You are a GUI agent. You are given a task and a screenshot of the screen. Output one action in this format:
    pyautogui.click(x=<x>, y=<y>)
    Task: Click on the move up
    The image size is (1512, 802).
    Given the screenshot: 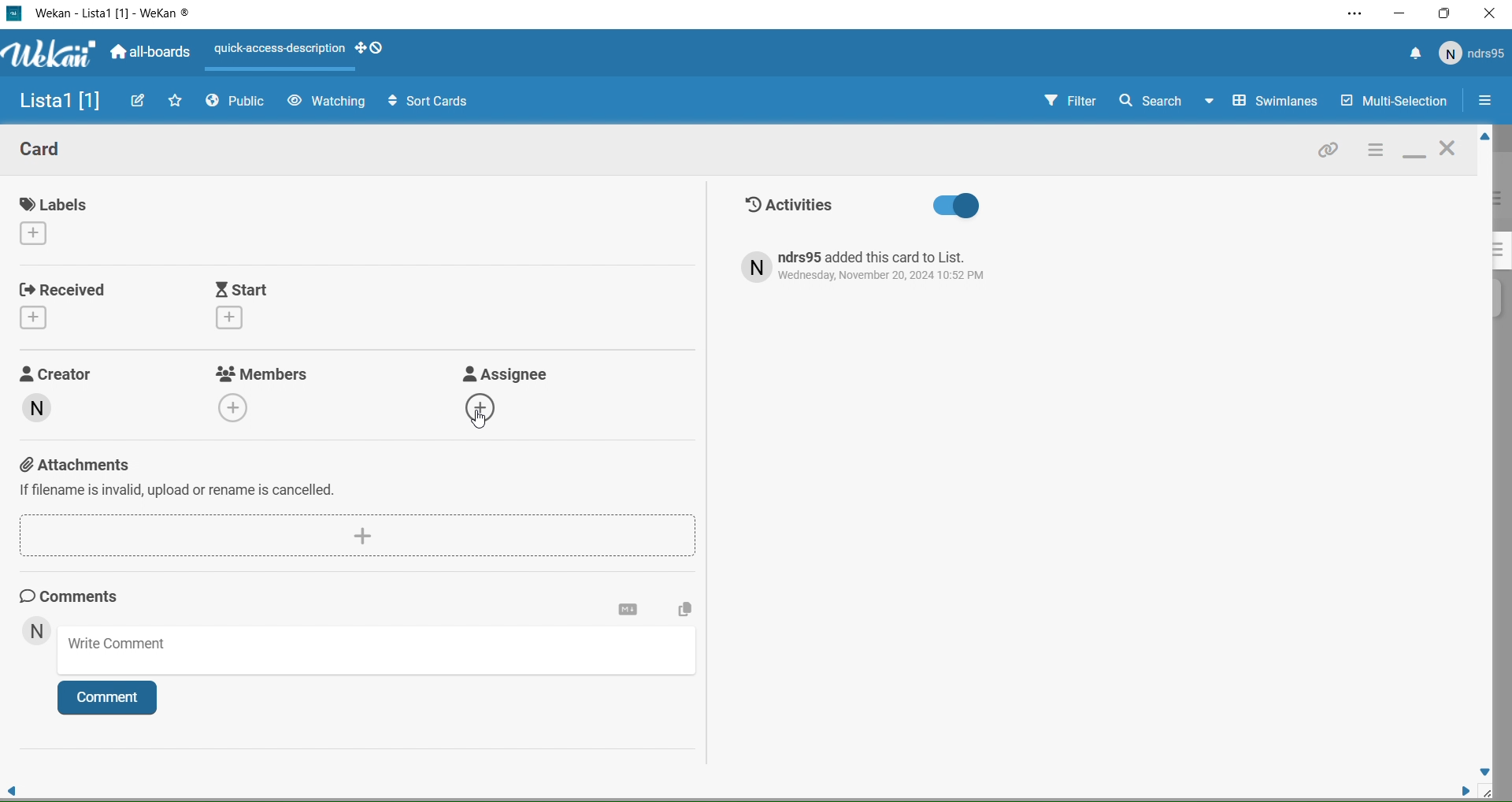 What is the action you would take?
    pyautogui.click(x=1482, y=138)
    